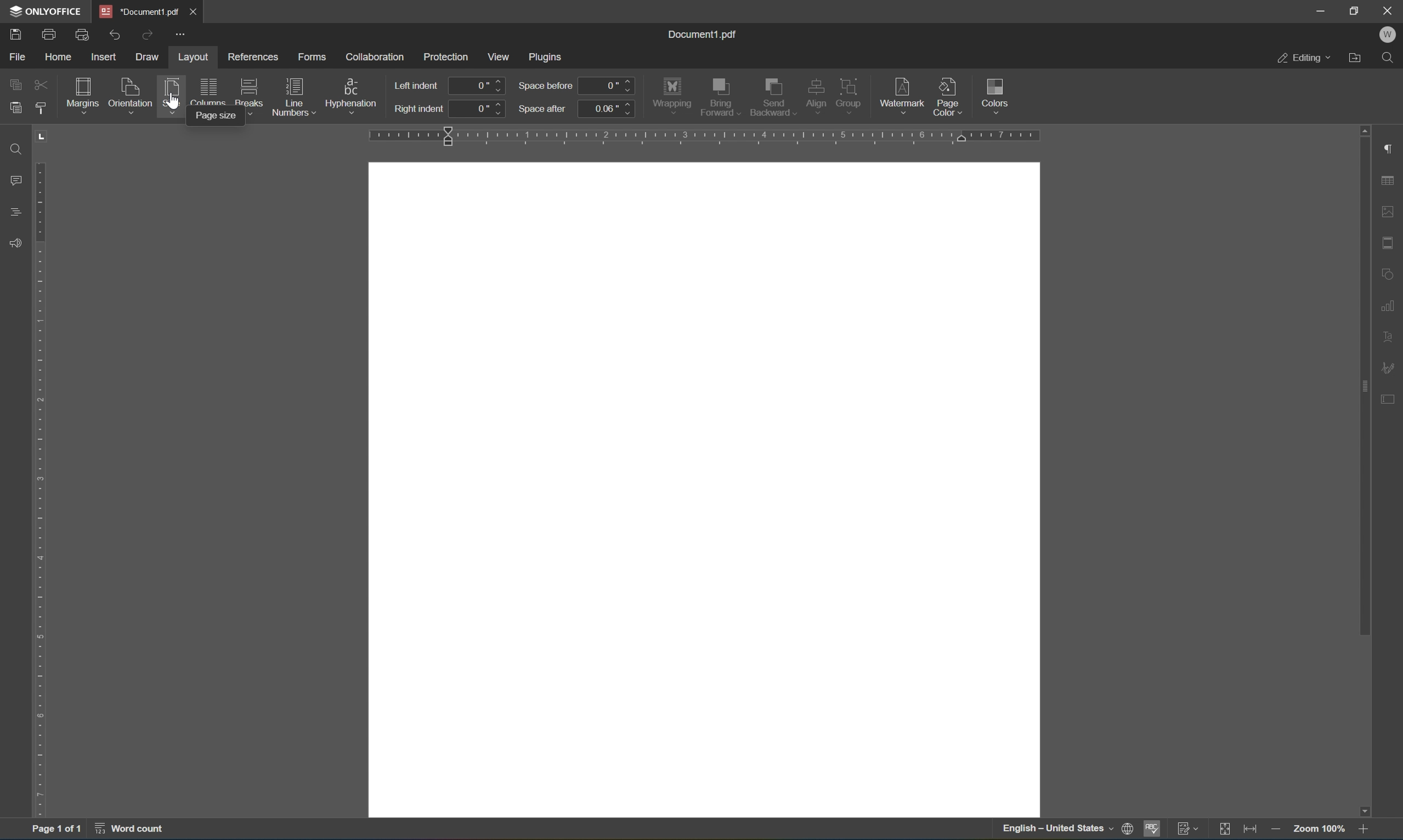 The image size is (1403, 840). What do you see at coordinates (15, 33) in the screenshot?
I see `save` at bounding box center [15, 33].